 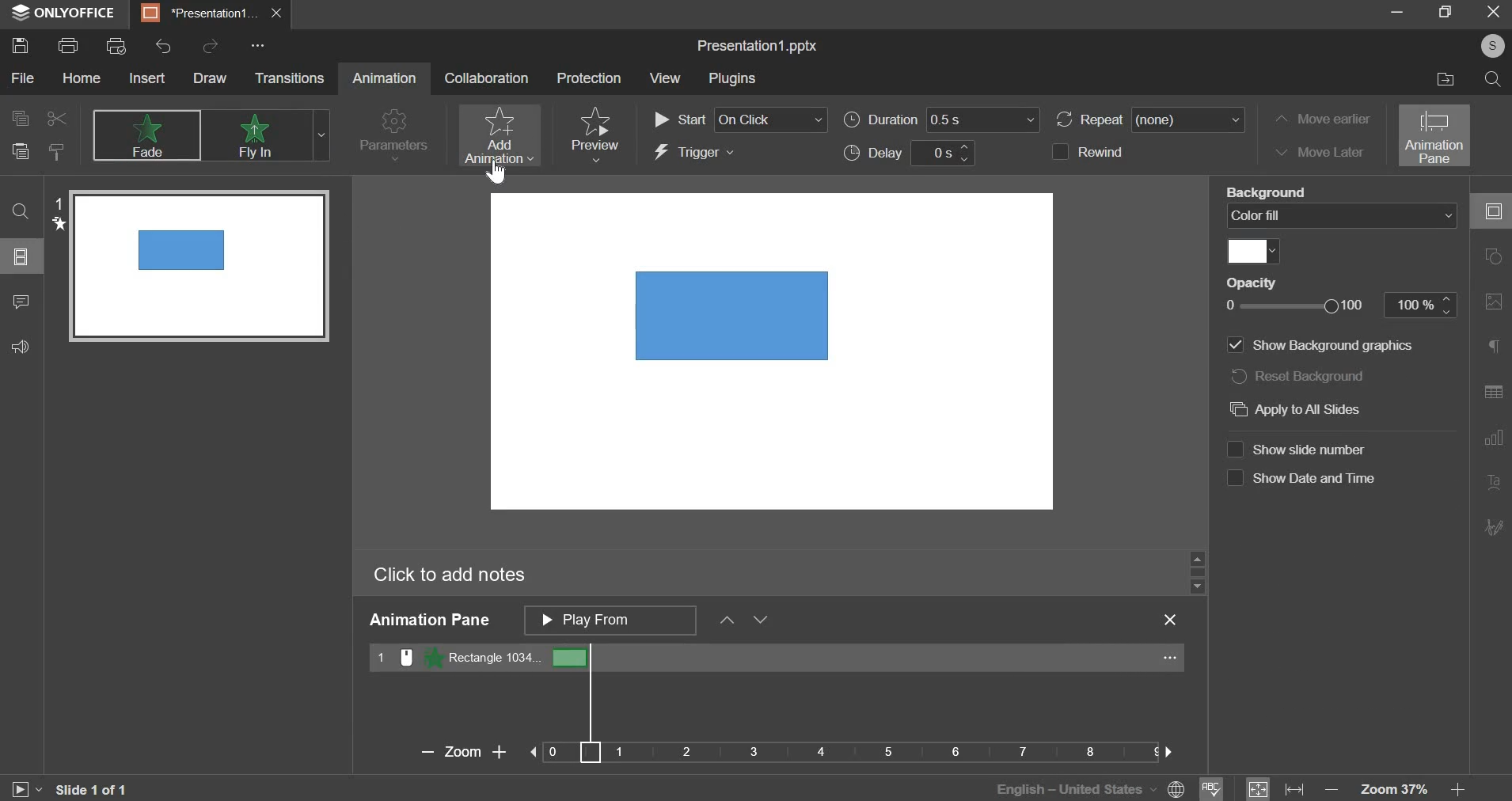 I want to click on repeat, so click(x=1152, y=120).